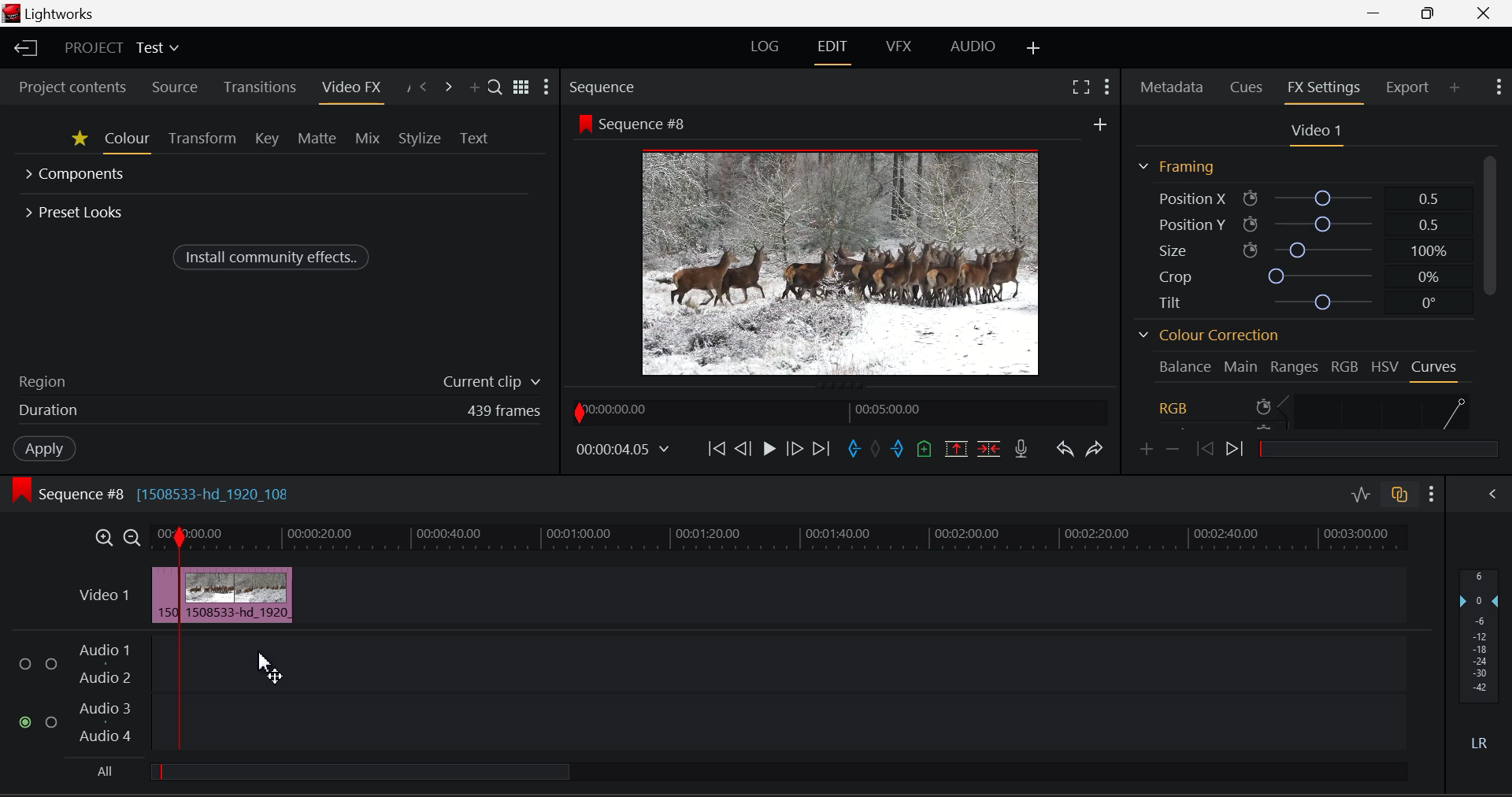 The image size is (1512, 797). I want to click on Remove all marks, so click(877, 450).